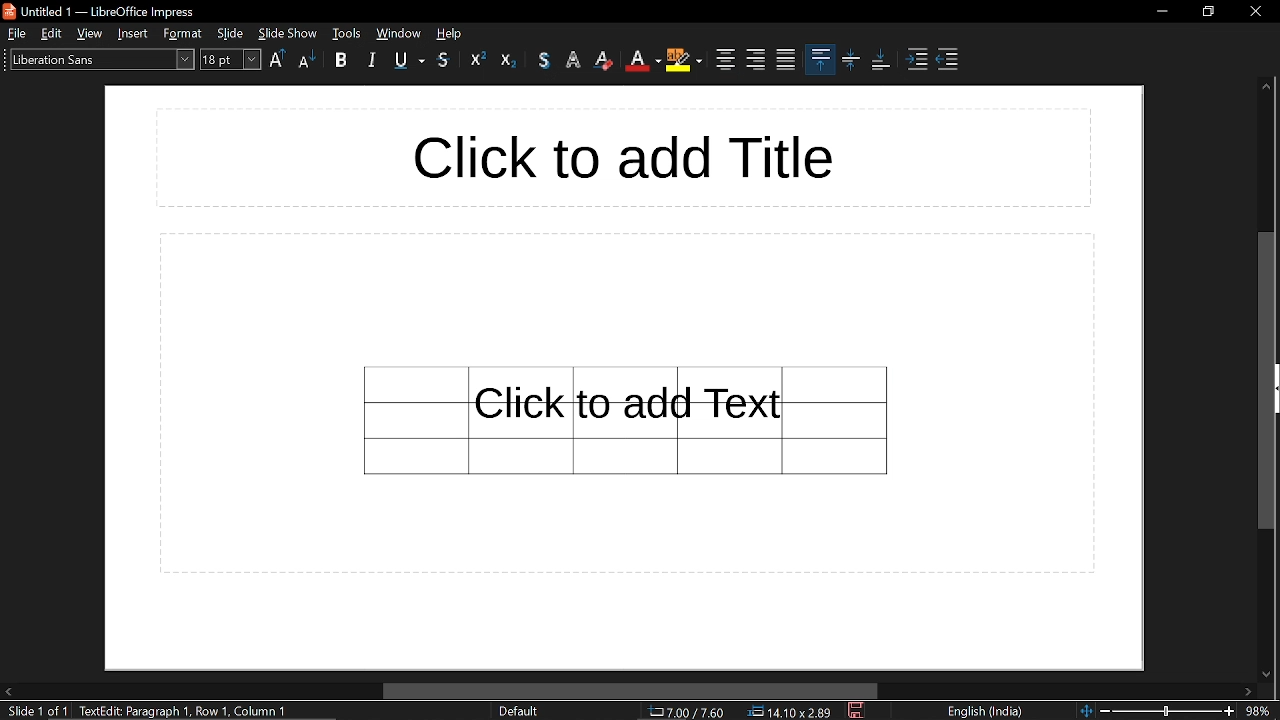 This screenshot has width=1280, height=720. What do you see at coordinates (642, 61) in the screenshot?
I see `font color` at bounding box center [642, 61].